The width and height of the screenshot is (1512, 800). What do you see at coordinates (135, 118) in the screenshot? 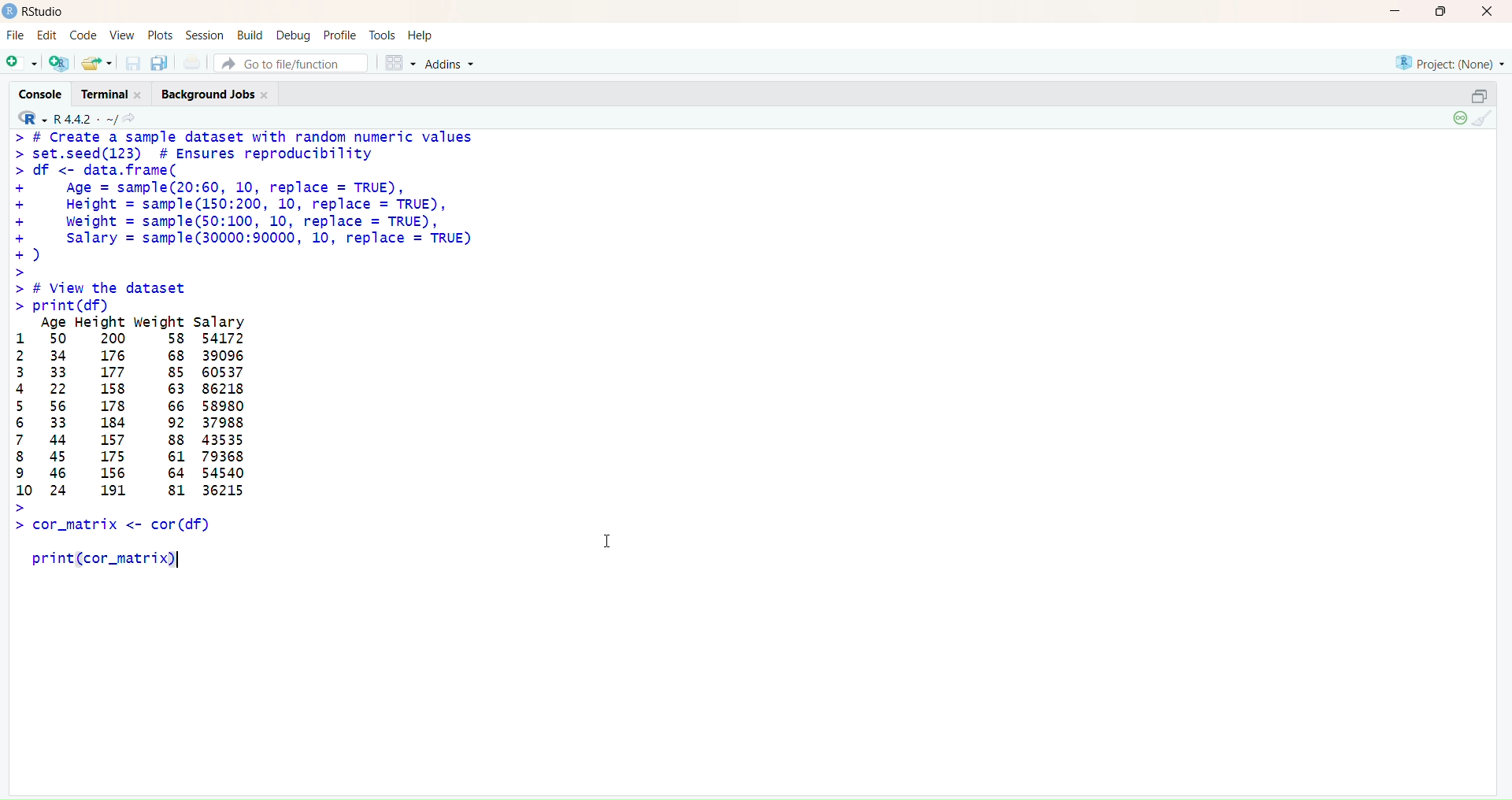
I see `Show in new window` at bounding box center [135, 118].